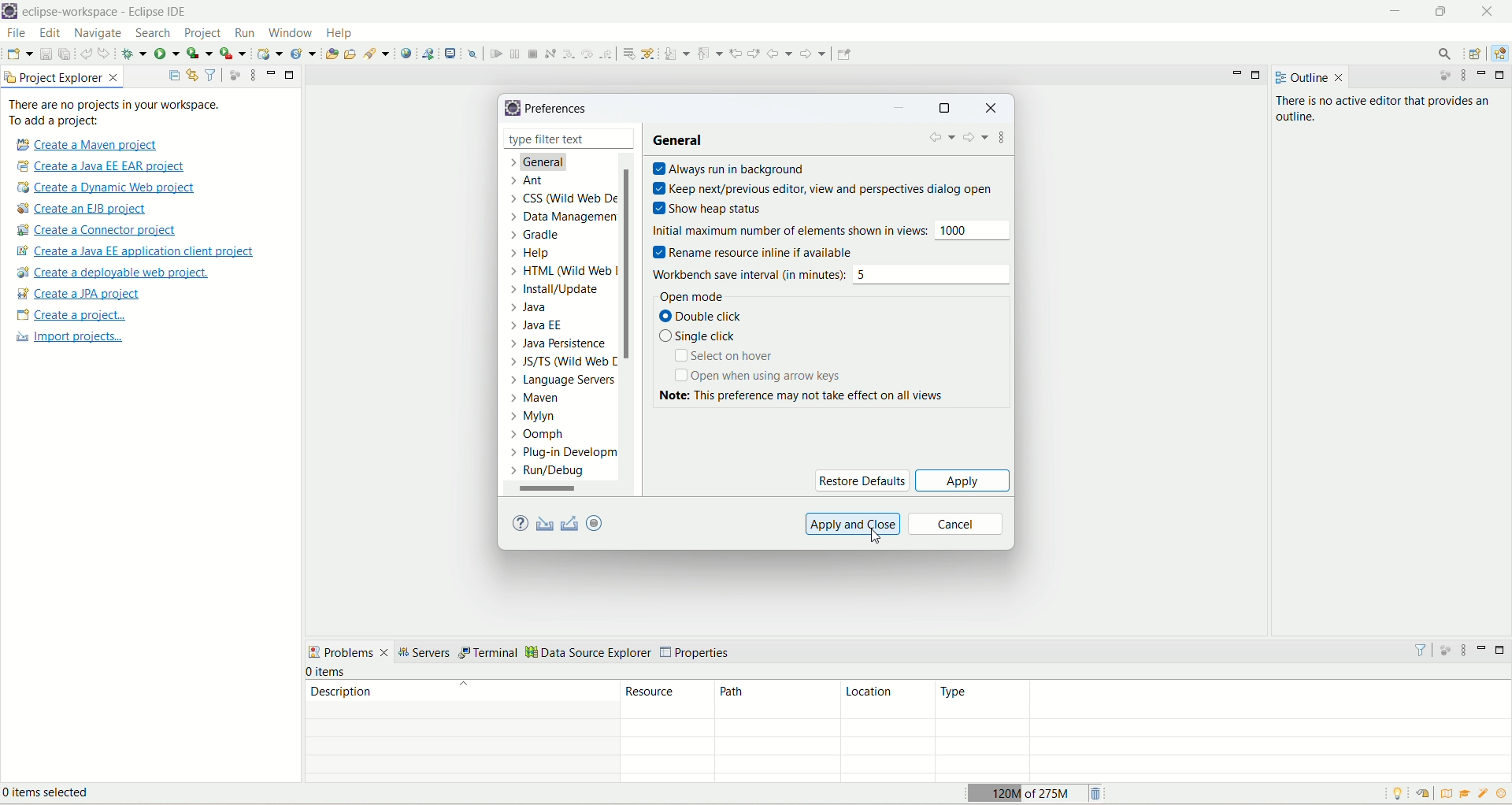 The width and height of the screenshot is (1512, 805). I want to click on HTML, so click(565, 273).